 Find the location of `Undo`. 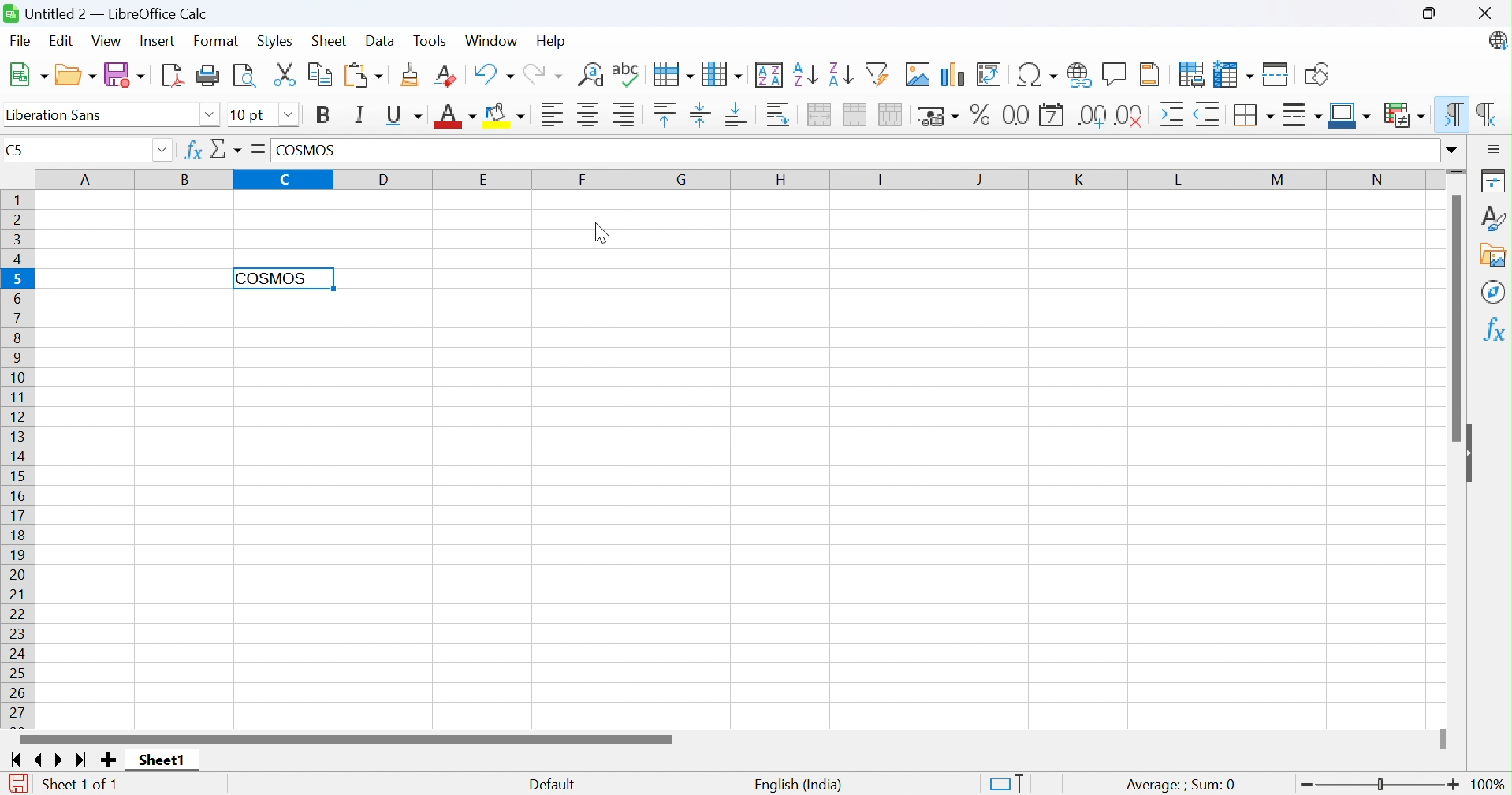

Undo is located at coordinates (493, 74).